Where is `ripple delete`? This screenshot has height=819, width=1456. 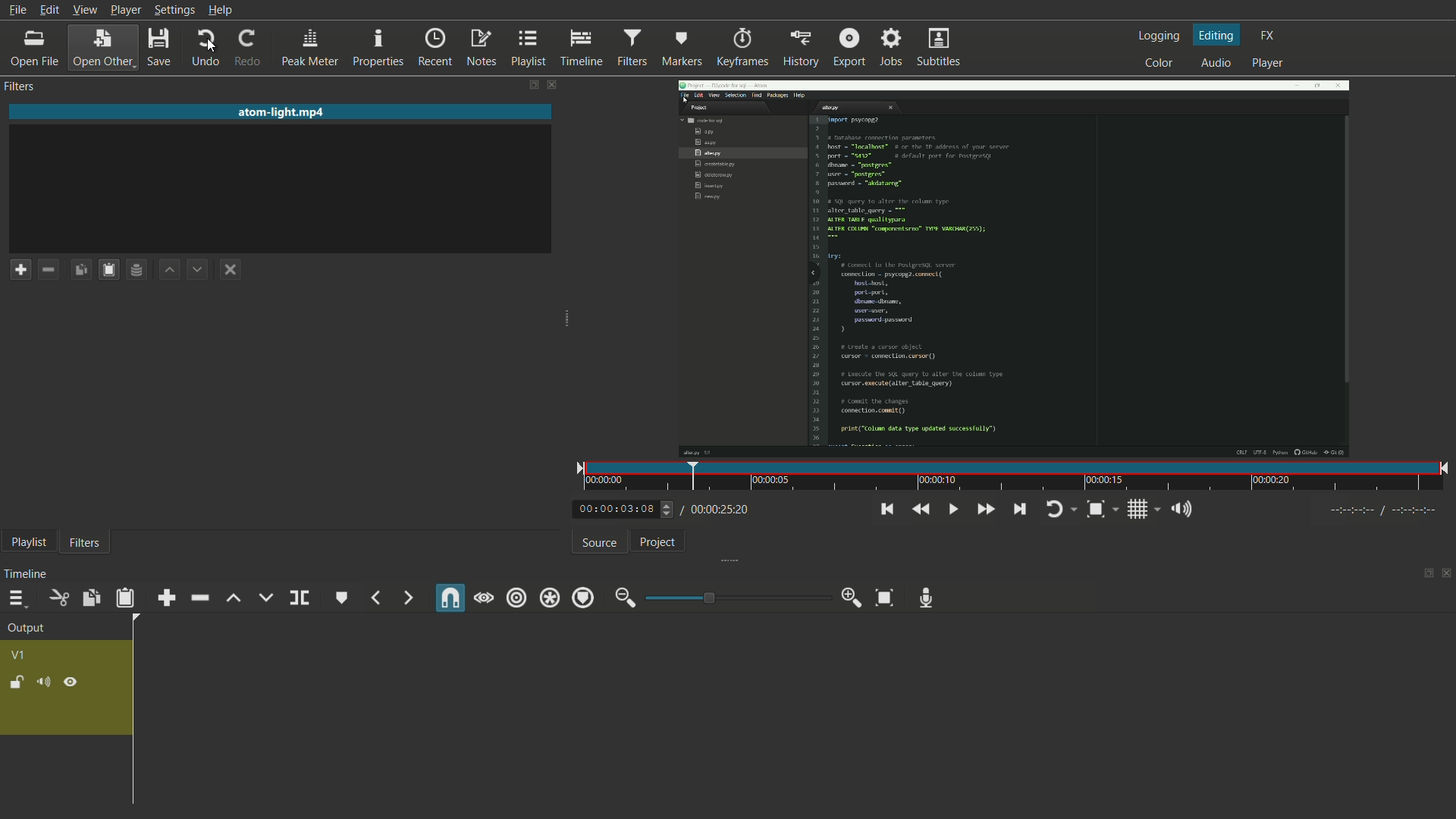
ripple delete is located at coordinates (199, 597).